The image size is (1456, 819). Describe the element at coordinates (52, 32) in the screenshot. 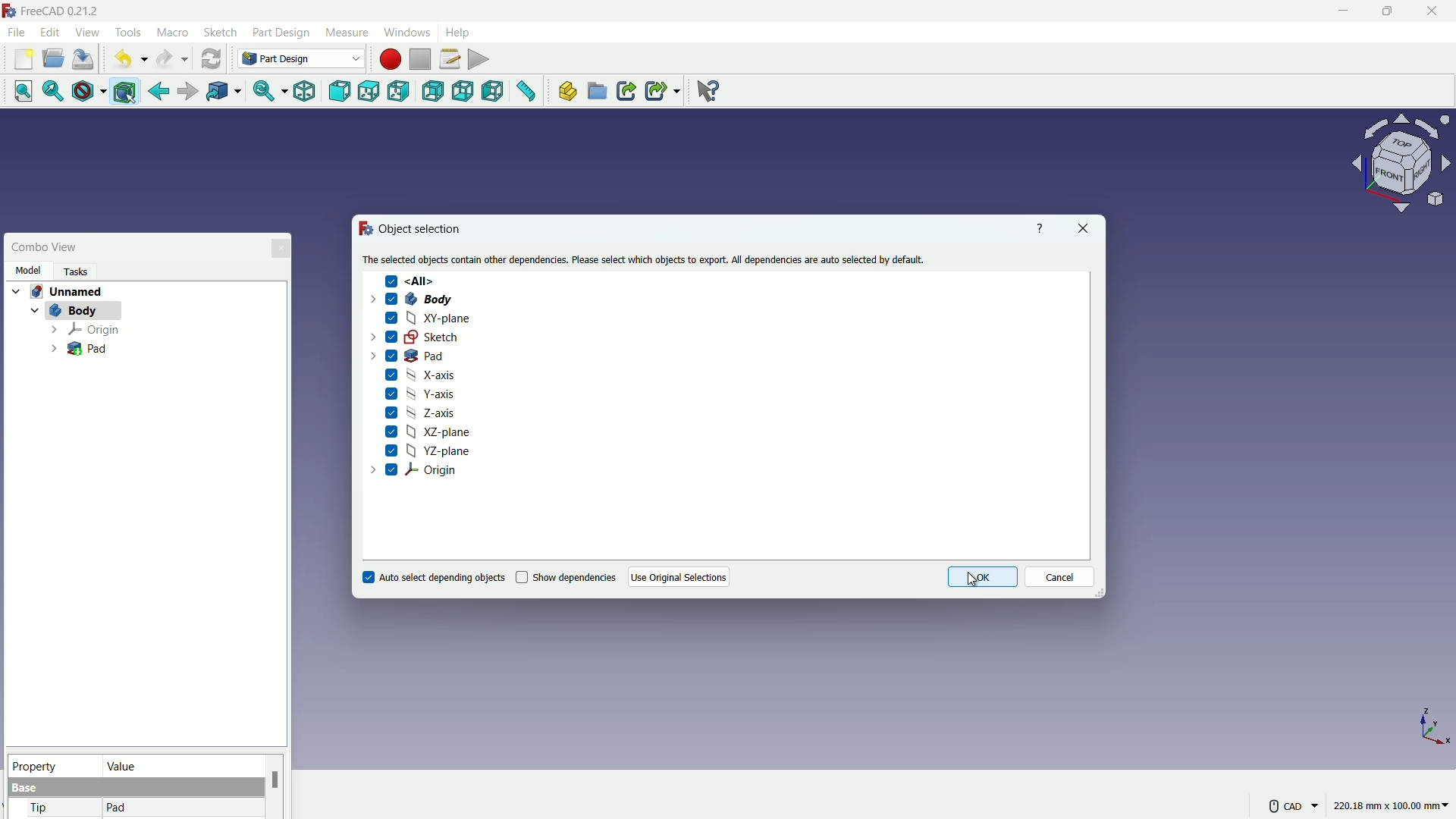

I see `edit` at that location.